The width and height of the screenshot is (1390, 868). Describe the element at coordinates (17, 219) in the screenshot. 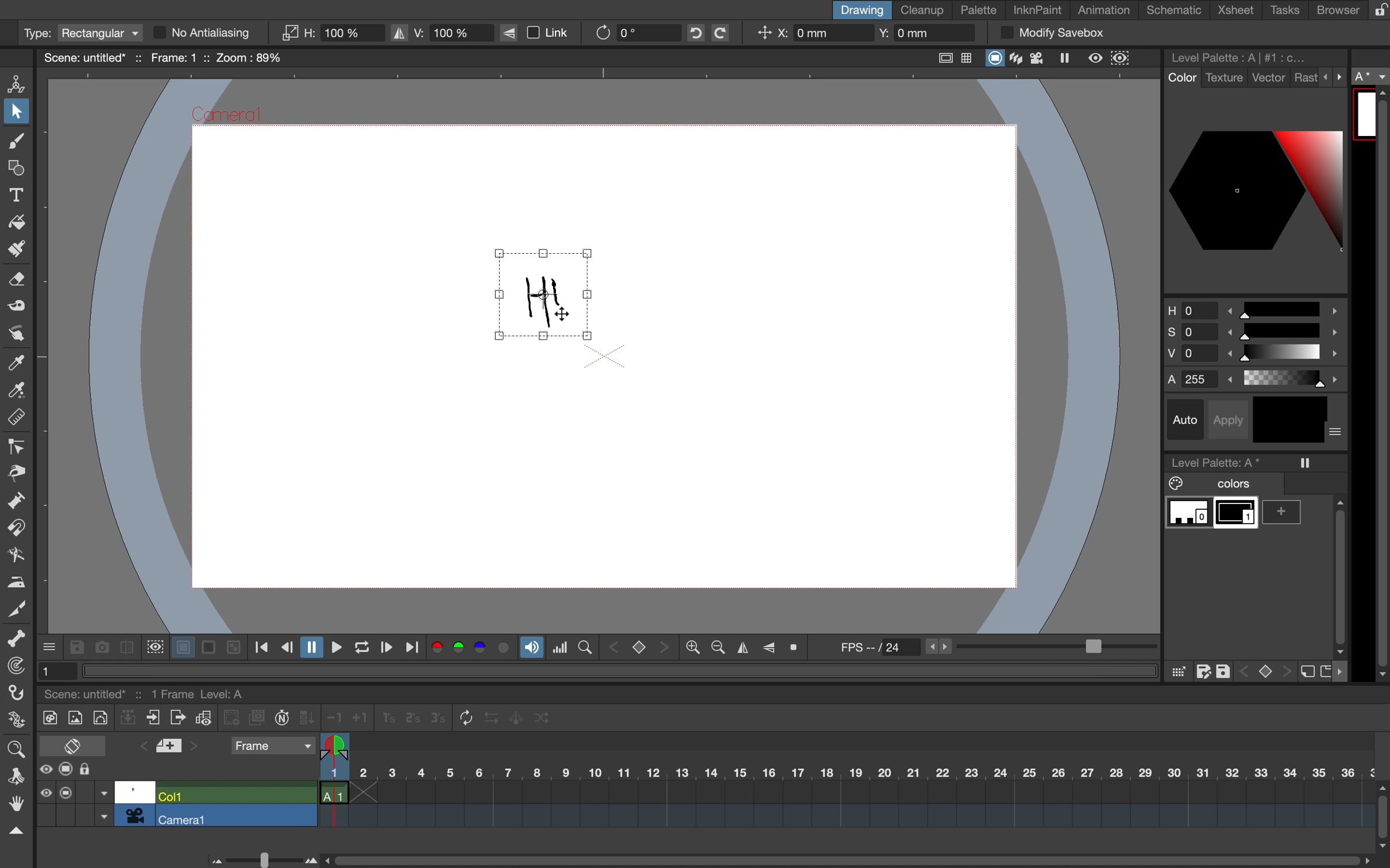

I see `fill tool` at that location.